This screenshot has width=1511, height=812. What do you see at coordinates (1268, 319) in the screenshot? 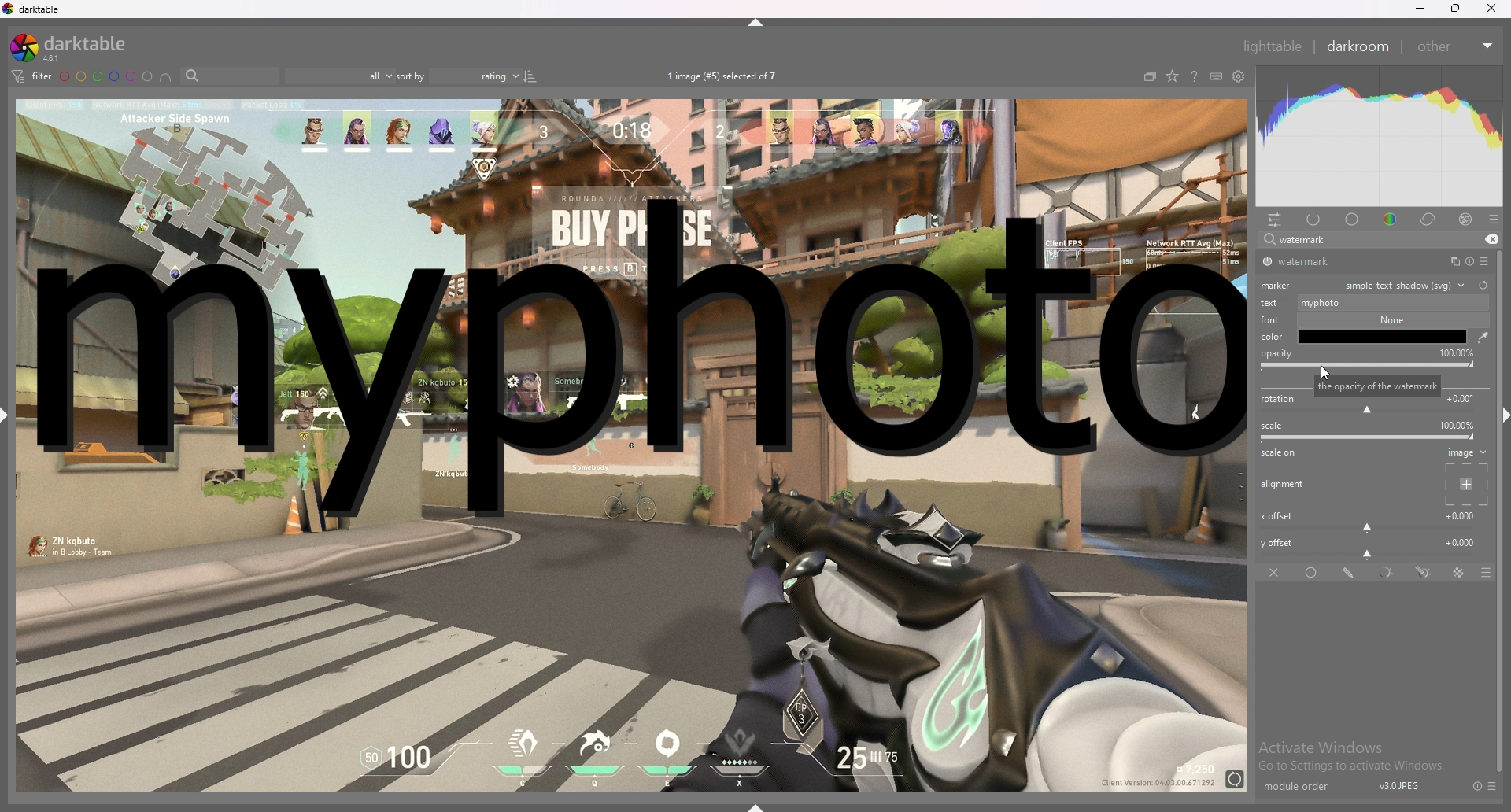
I see `font` at bounding box center [1268, 319].